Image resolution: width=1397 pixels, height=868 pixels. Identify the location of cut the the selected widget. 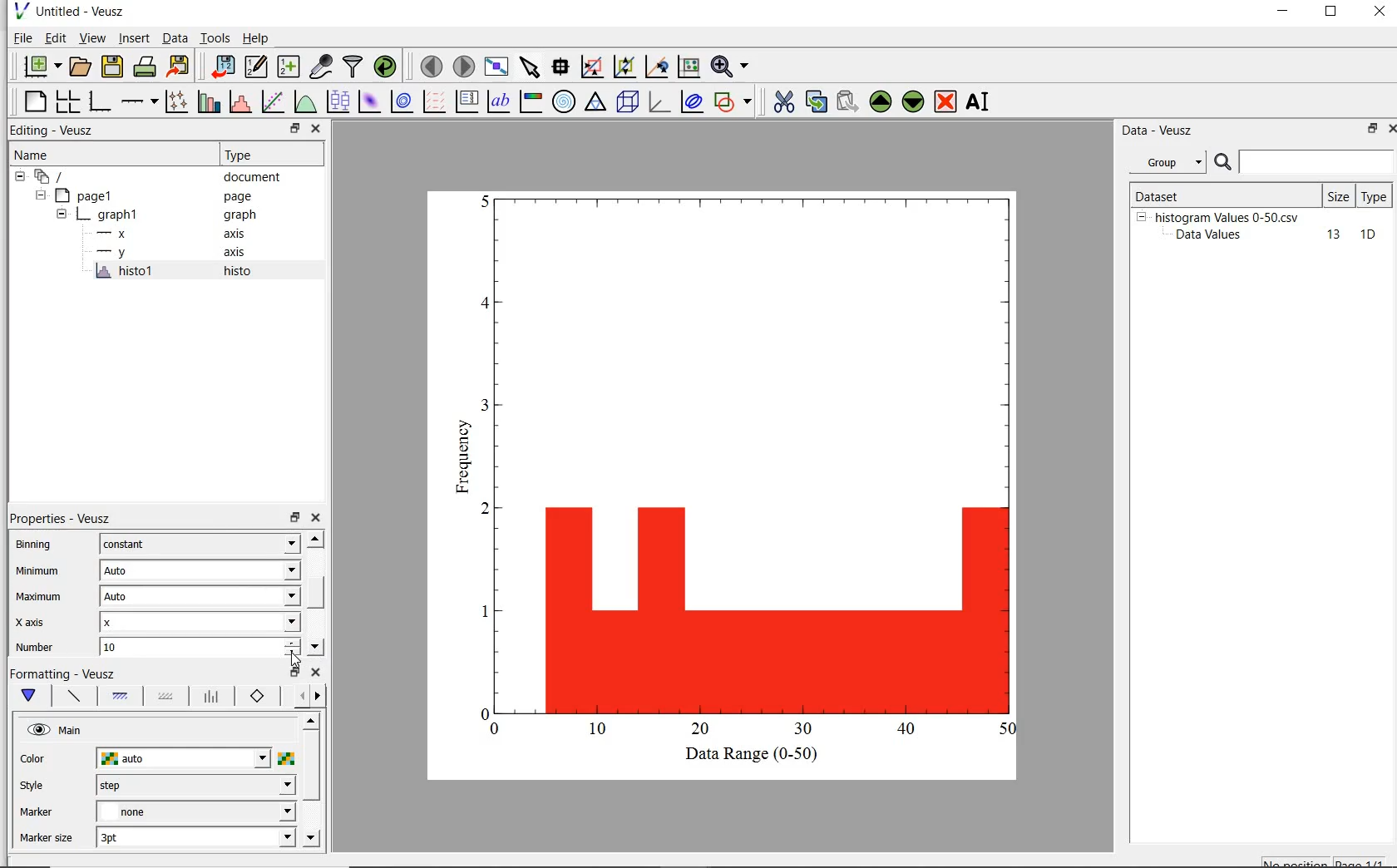
(782, 104).